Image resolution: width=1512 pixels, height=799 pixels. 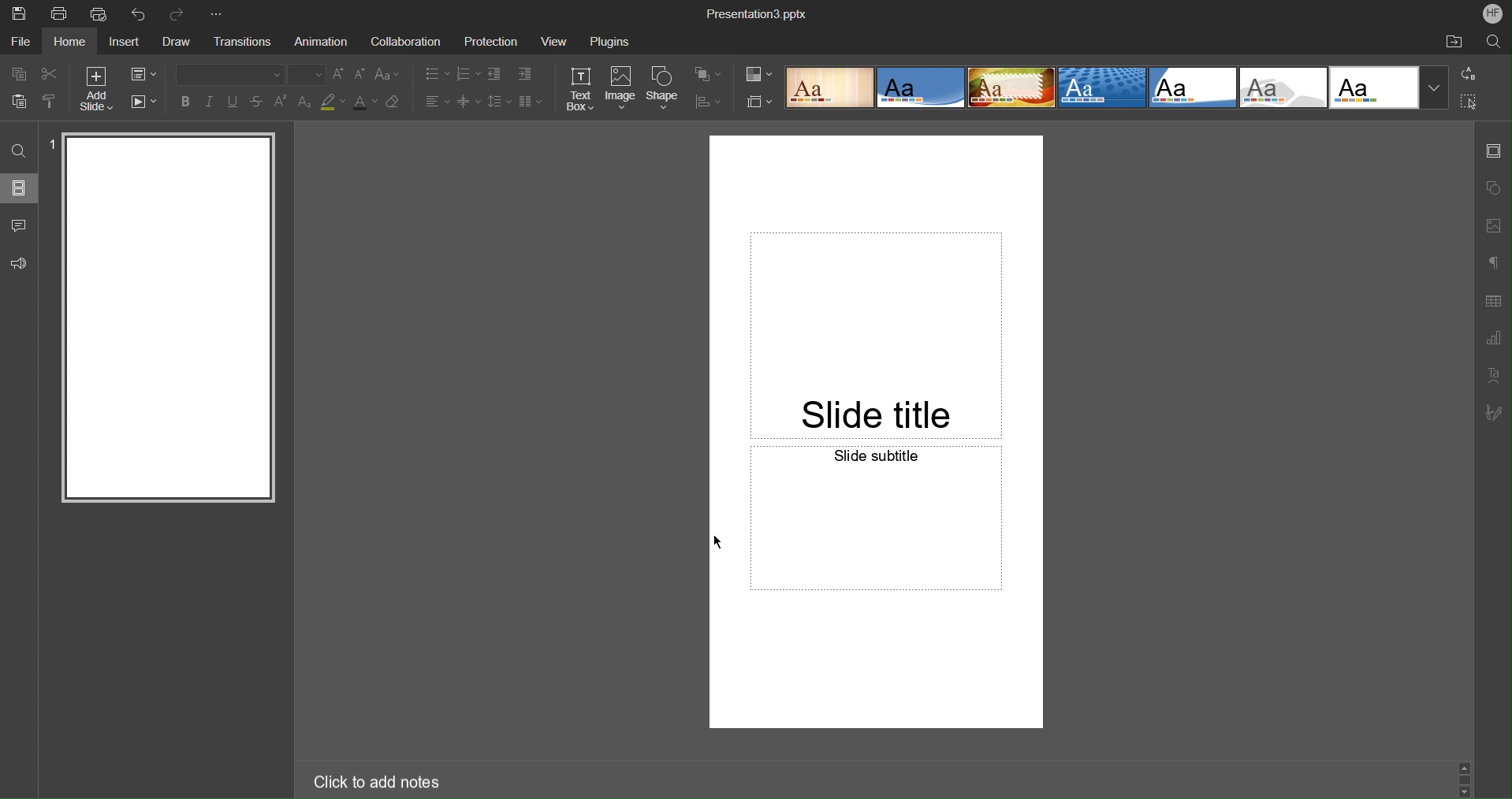 I want to click on Arrange, so click(x=707, y=75).